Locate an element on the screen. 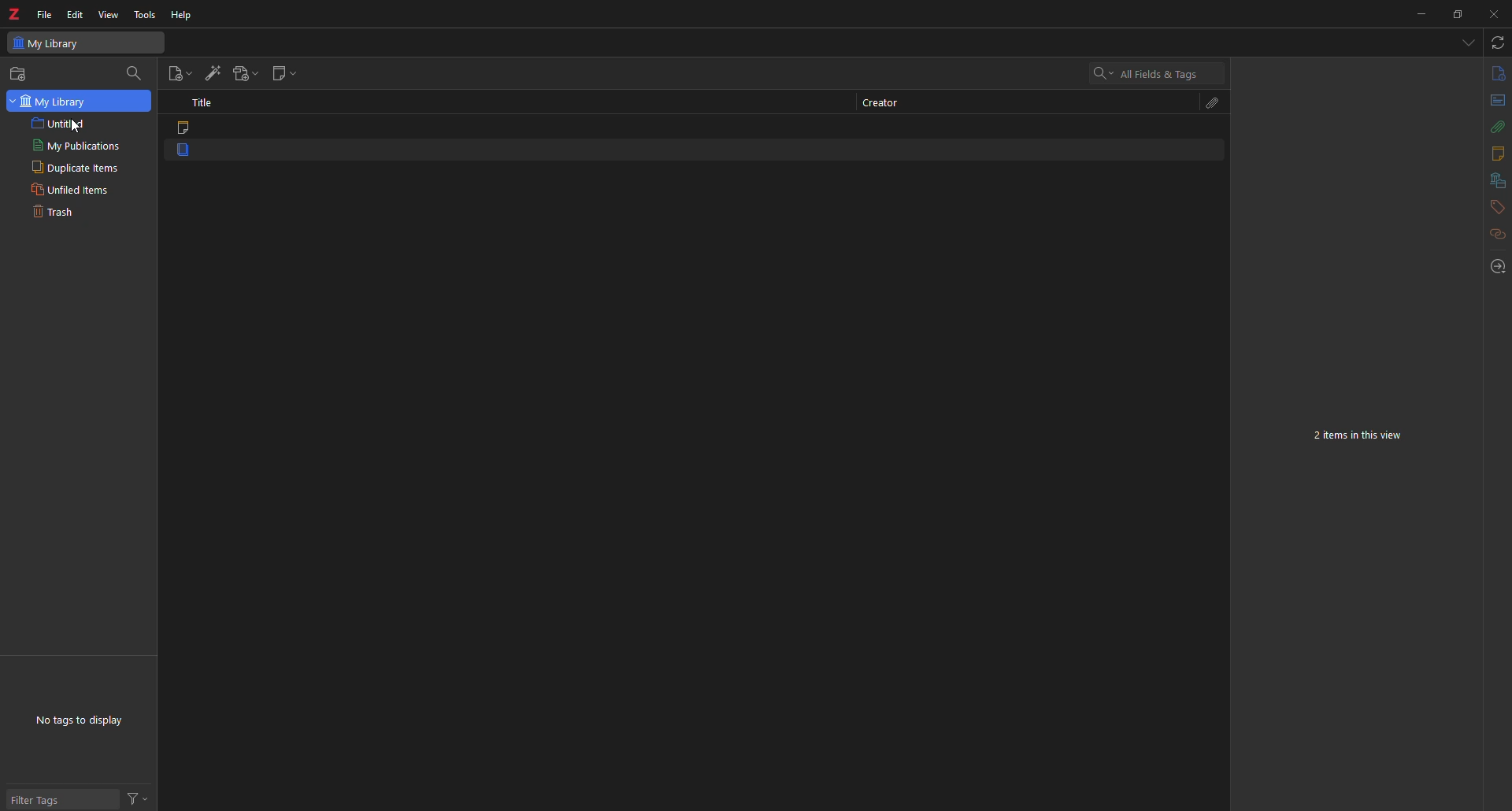  minimize is located at coordinates (1414, 16).